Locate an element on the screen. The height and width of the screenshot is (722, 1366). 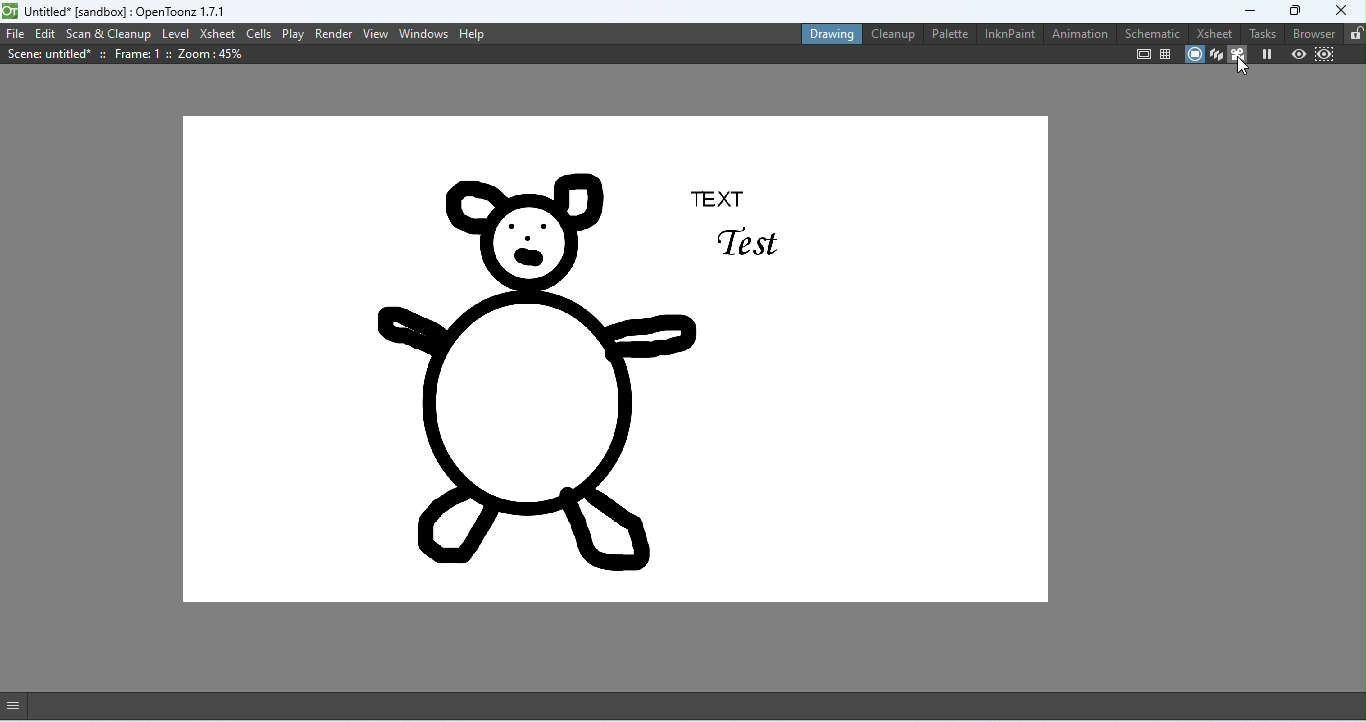
preview is located at coordinates (1297, 54).